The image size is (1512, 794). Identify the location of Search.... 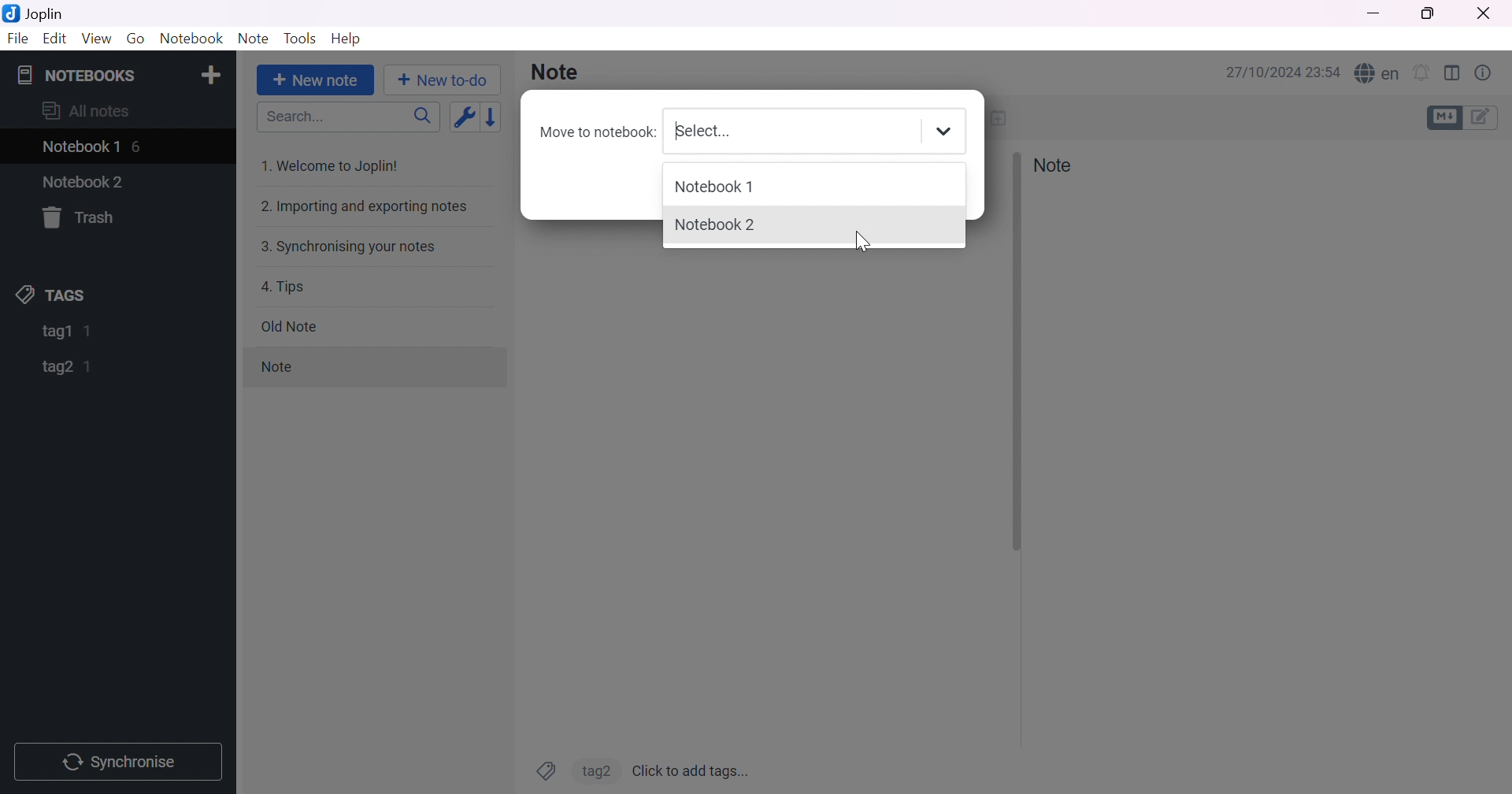
(291, 118).